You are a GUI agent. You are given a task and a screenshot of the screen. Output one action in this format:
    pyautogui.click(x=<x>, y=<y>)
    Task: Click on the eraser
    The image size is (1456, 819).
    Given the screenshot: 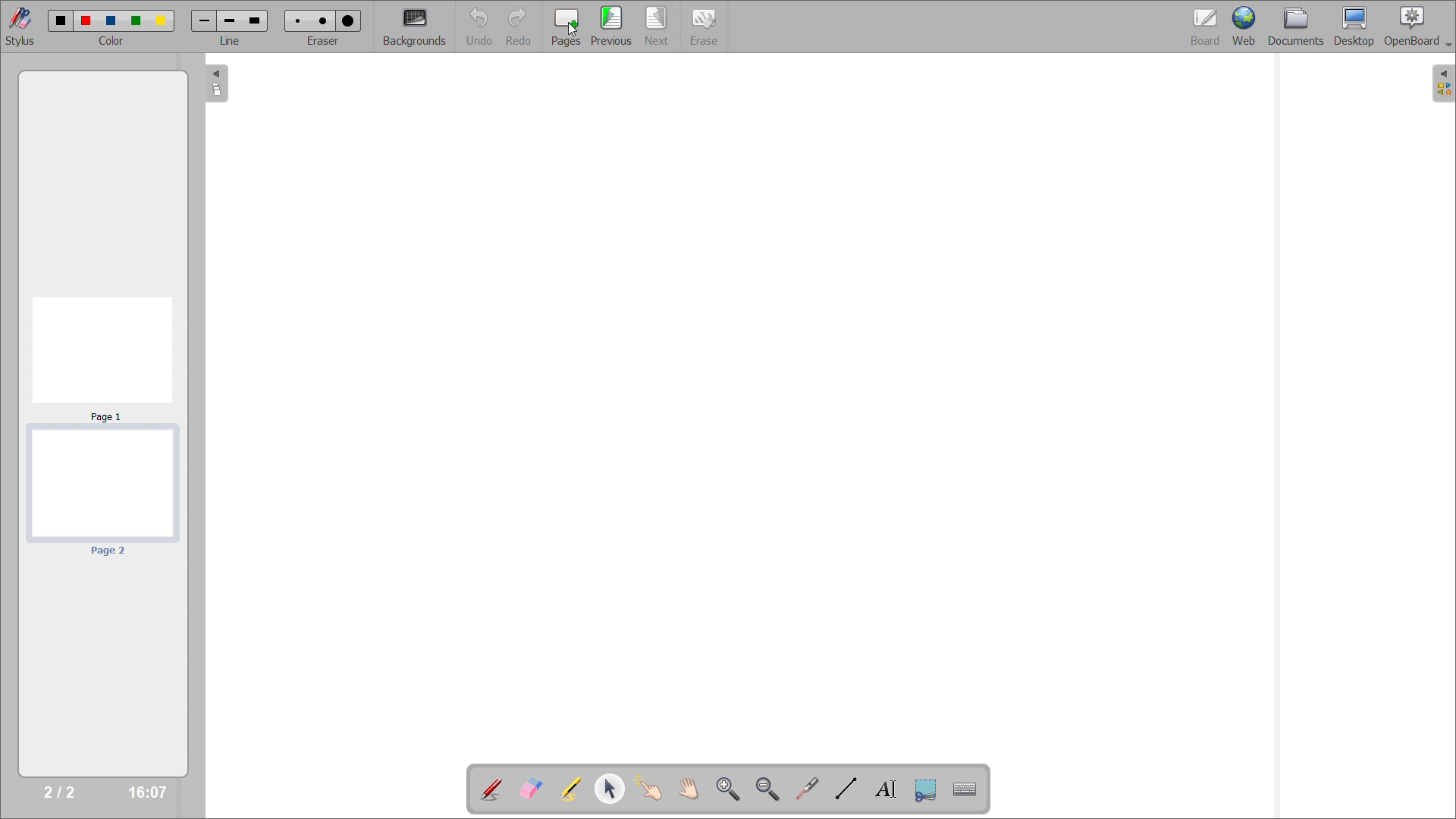 What is the action you would take?
    pyautogui.click(x=324, y=27)
    